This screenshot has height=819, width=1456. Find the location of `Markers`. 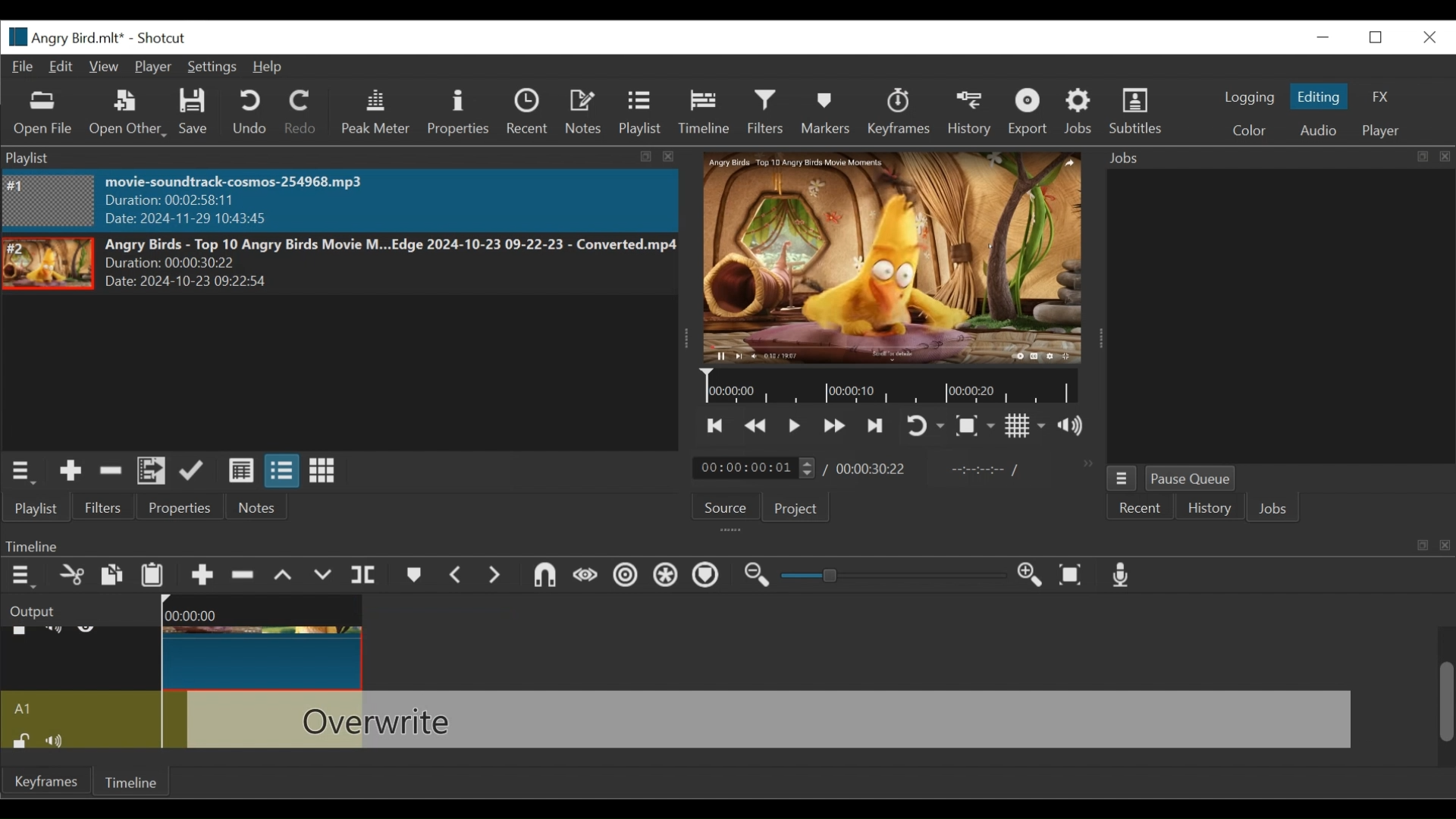

Markers is located at coordinates (826, 112).